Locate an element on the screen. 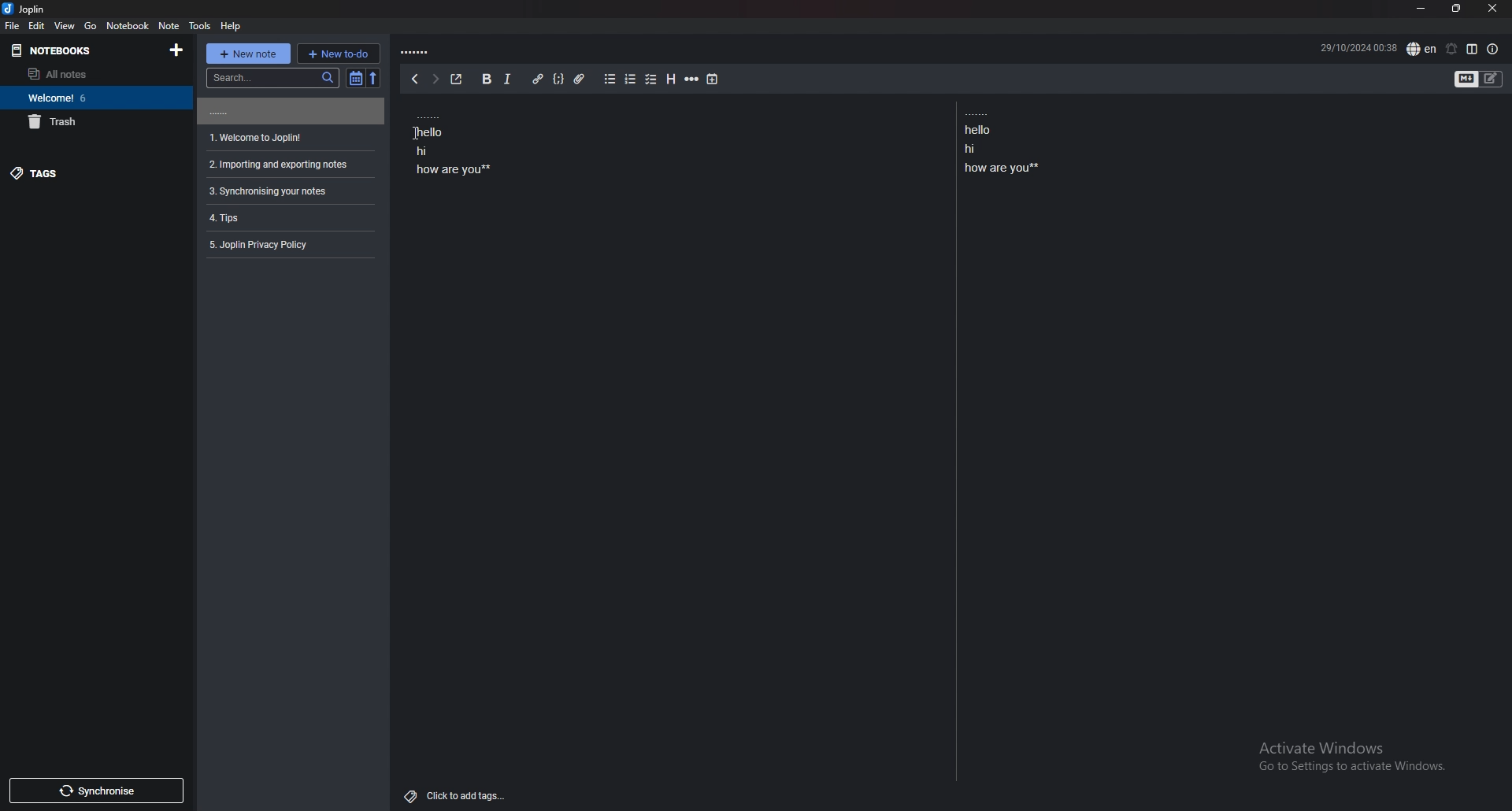  horizontal rule is located at coordinates (692, 78).